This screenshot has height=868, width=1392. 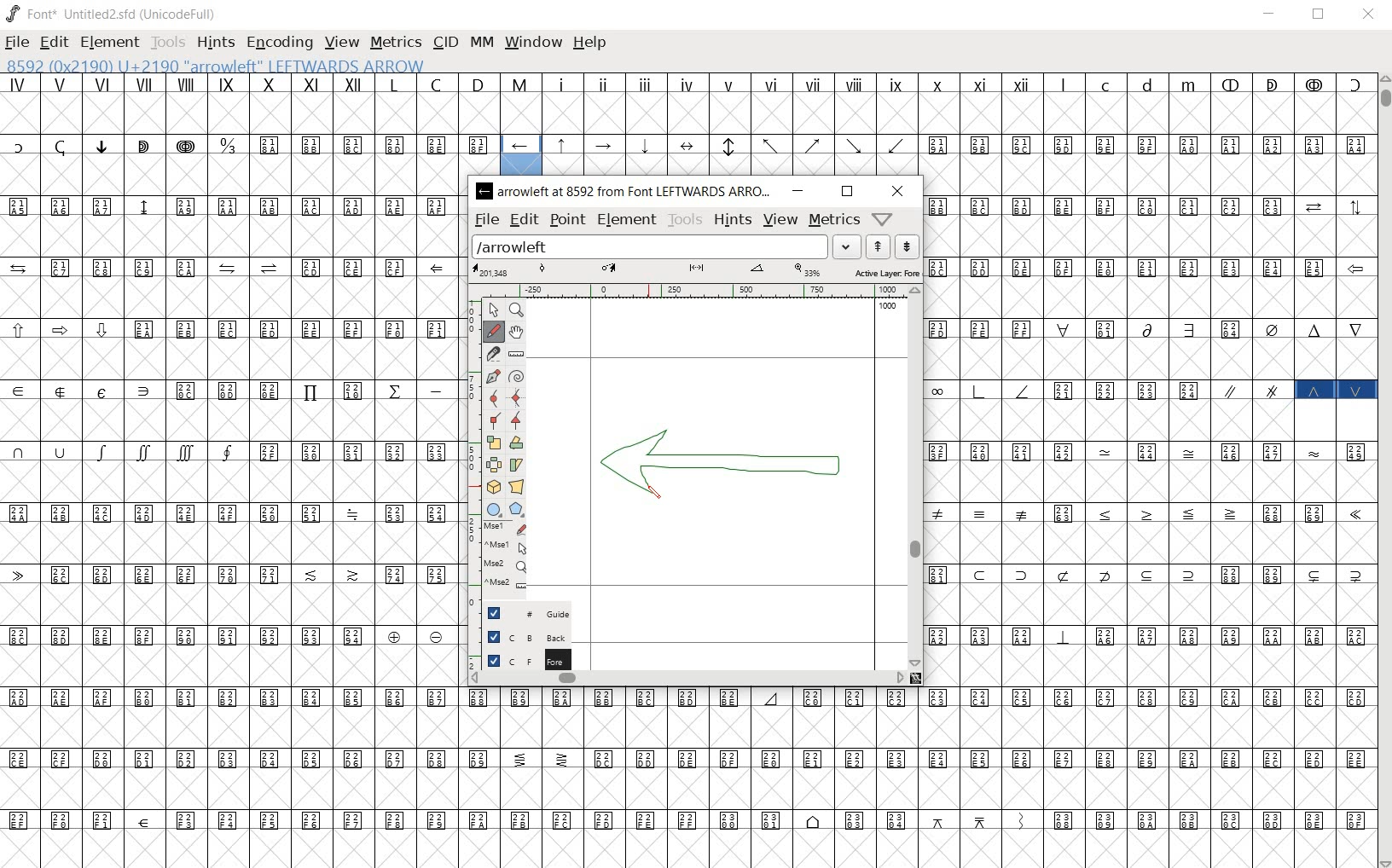 I want to click on polygon or star, so click(x=516, y=510).